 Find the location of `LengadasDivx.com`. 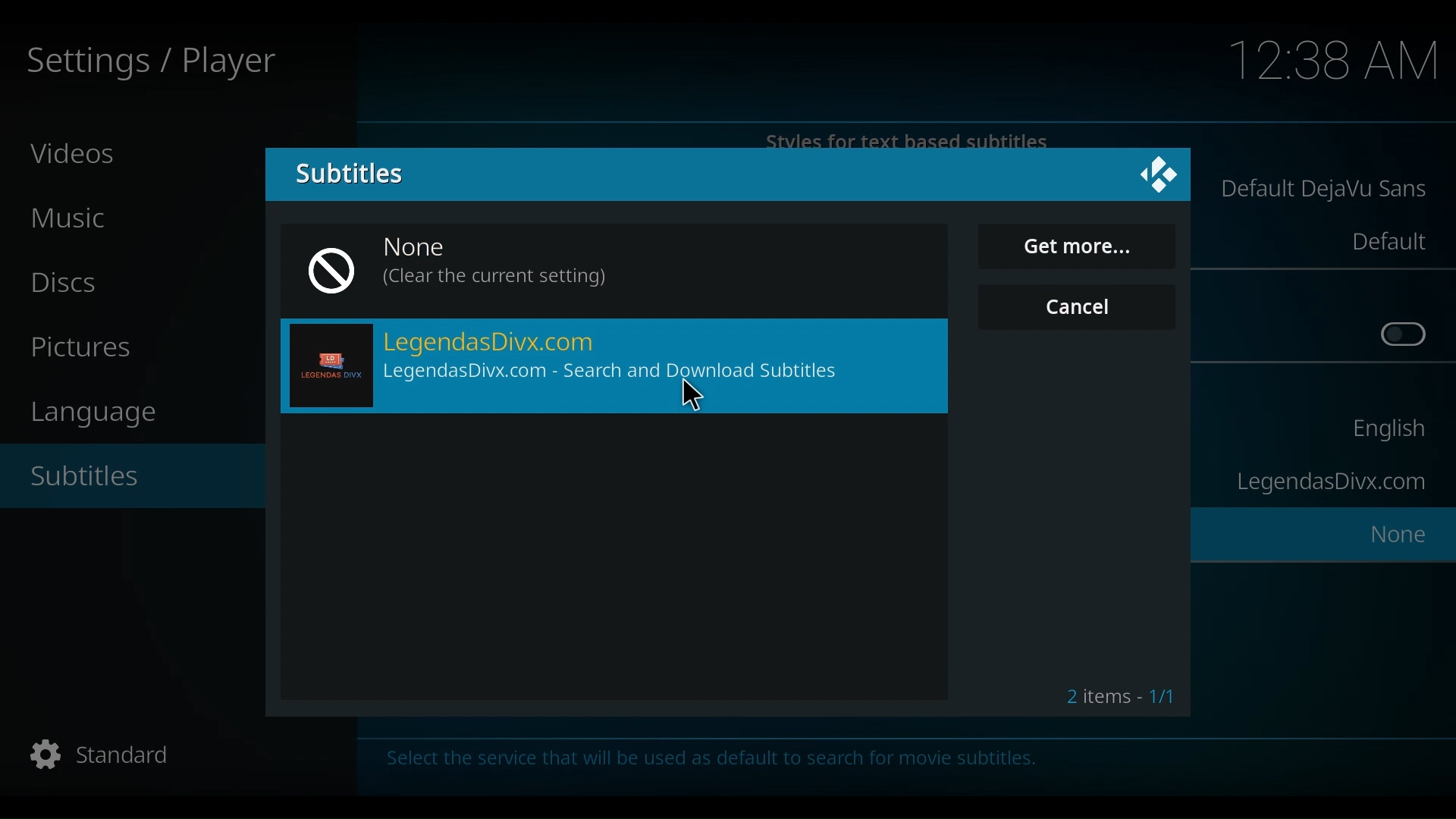

LengadasDivx.com is located at coordinates (495, 342).